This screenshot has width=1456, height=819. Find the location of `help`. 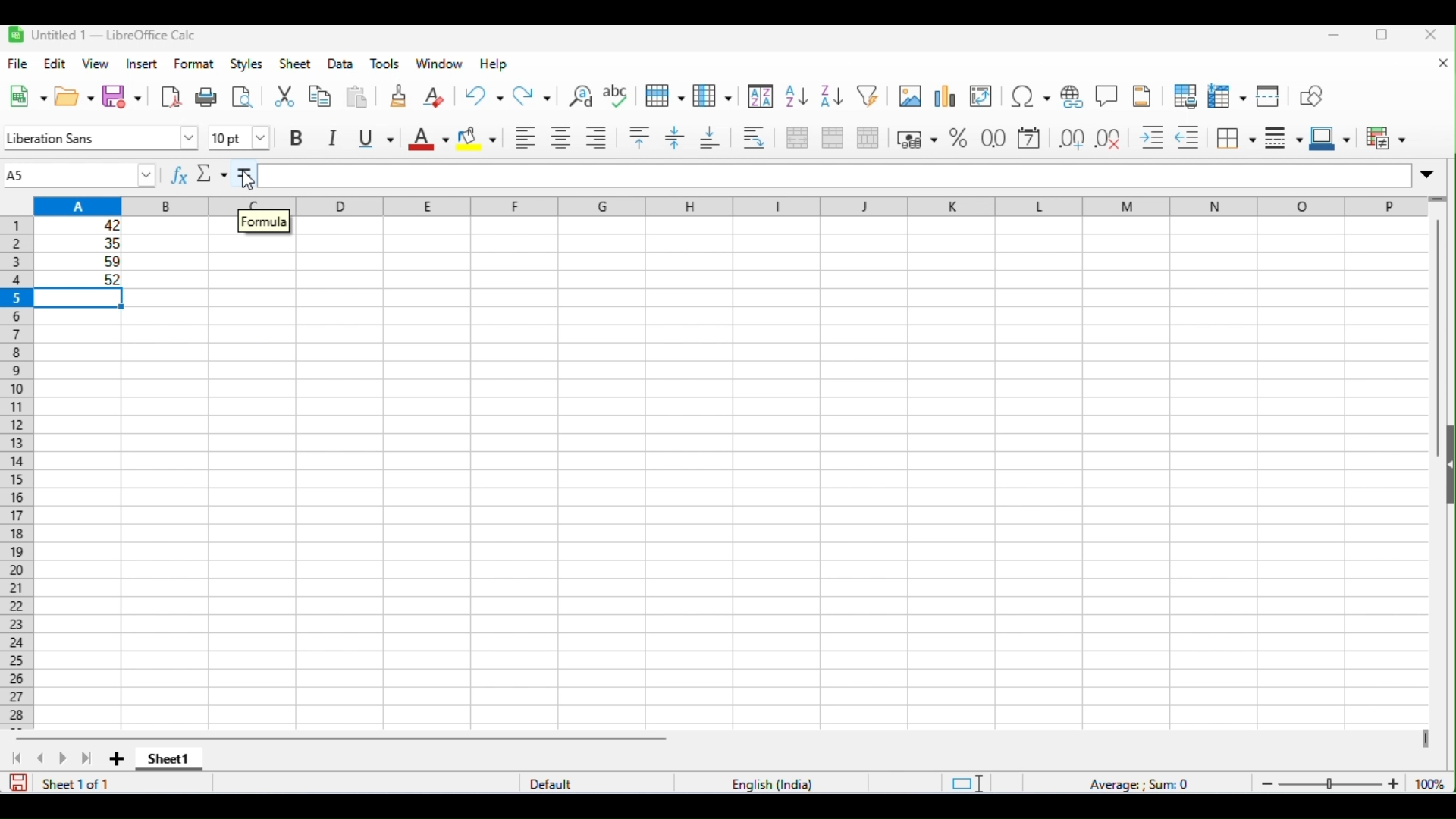

help is located at coordinates (497, 65).